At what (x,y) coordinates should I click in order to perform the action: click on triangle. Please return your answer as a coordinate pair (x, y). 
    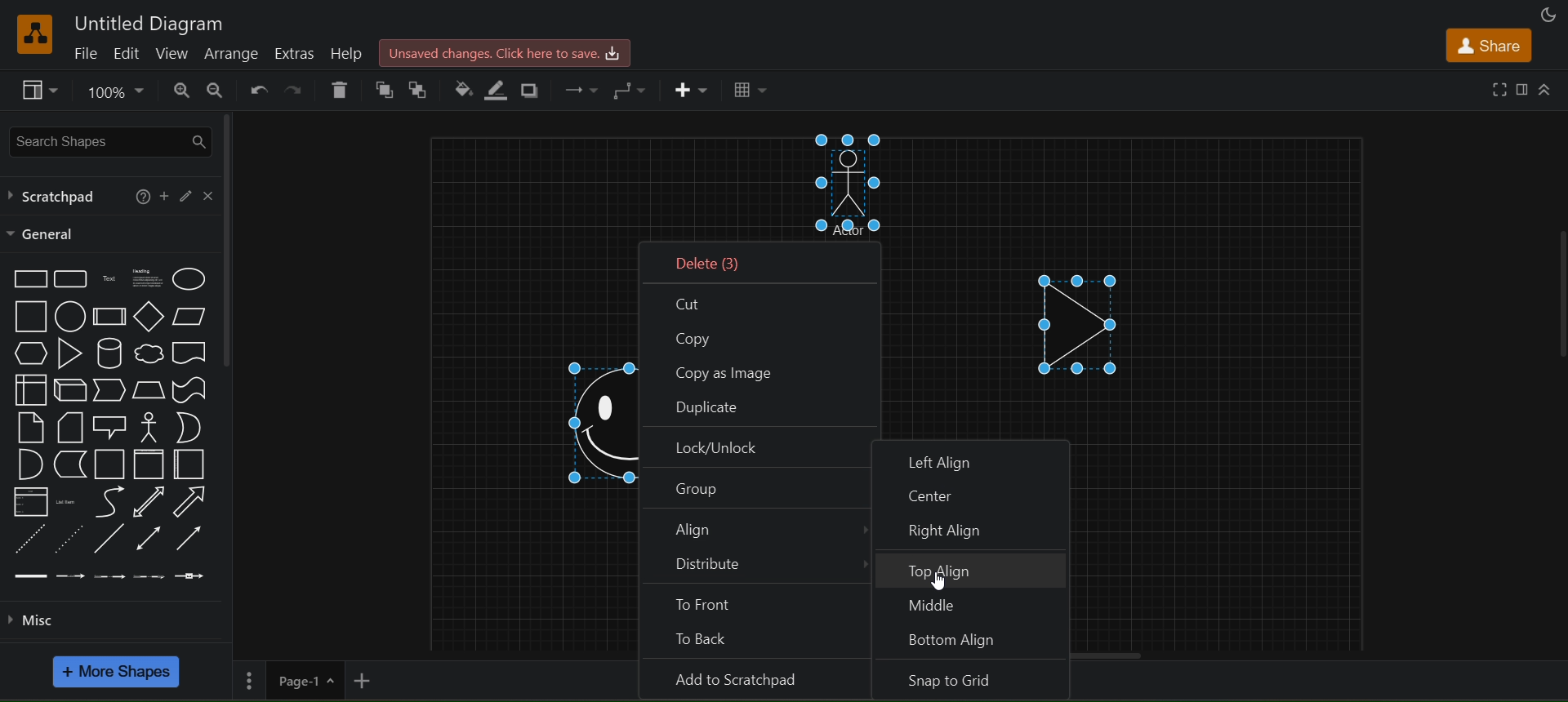
    Looking at the image, I should click on (68, 353).